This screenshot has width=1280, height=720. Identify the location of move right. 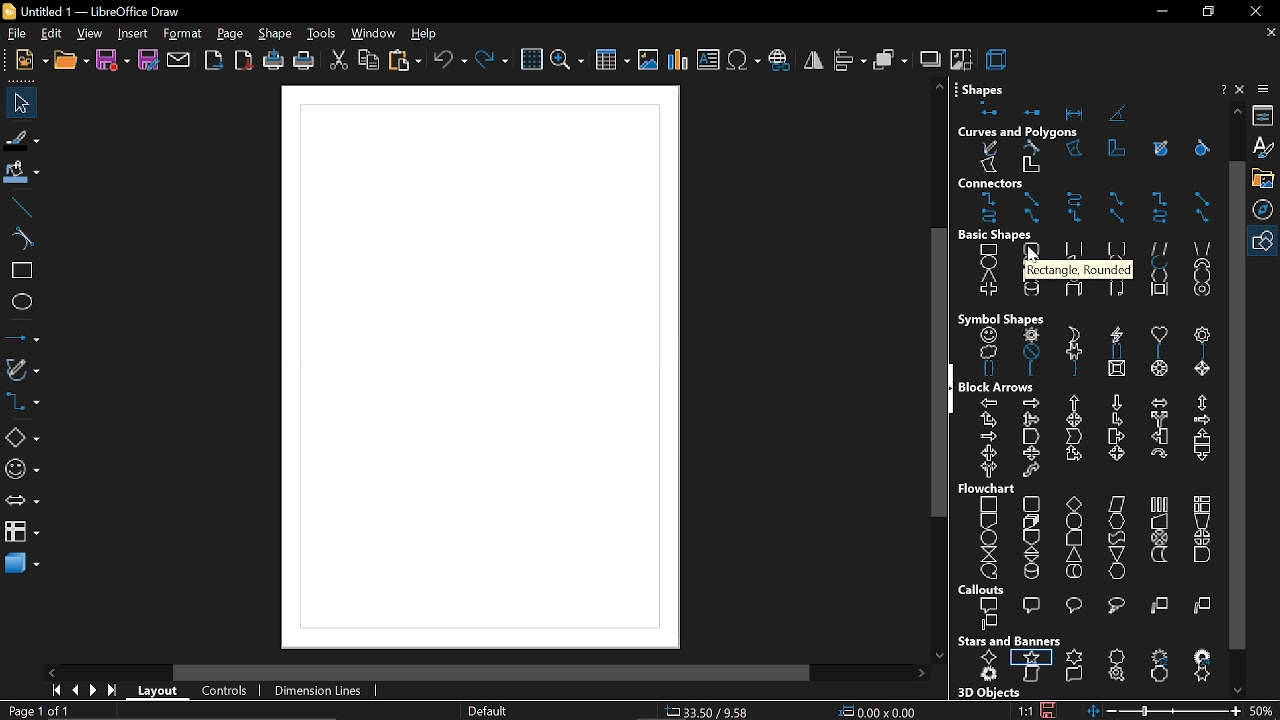
(921, 674).